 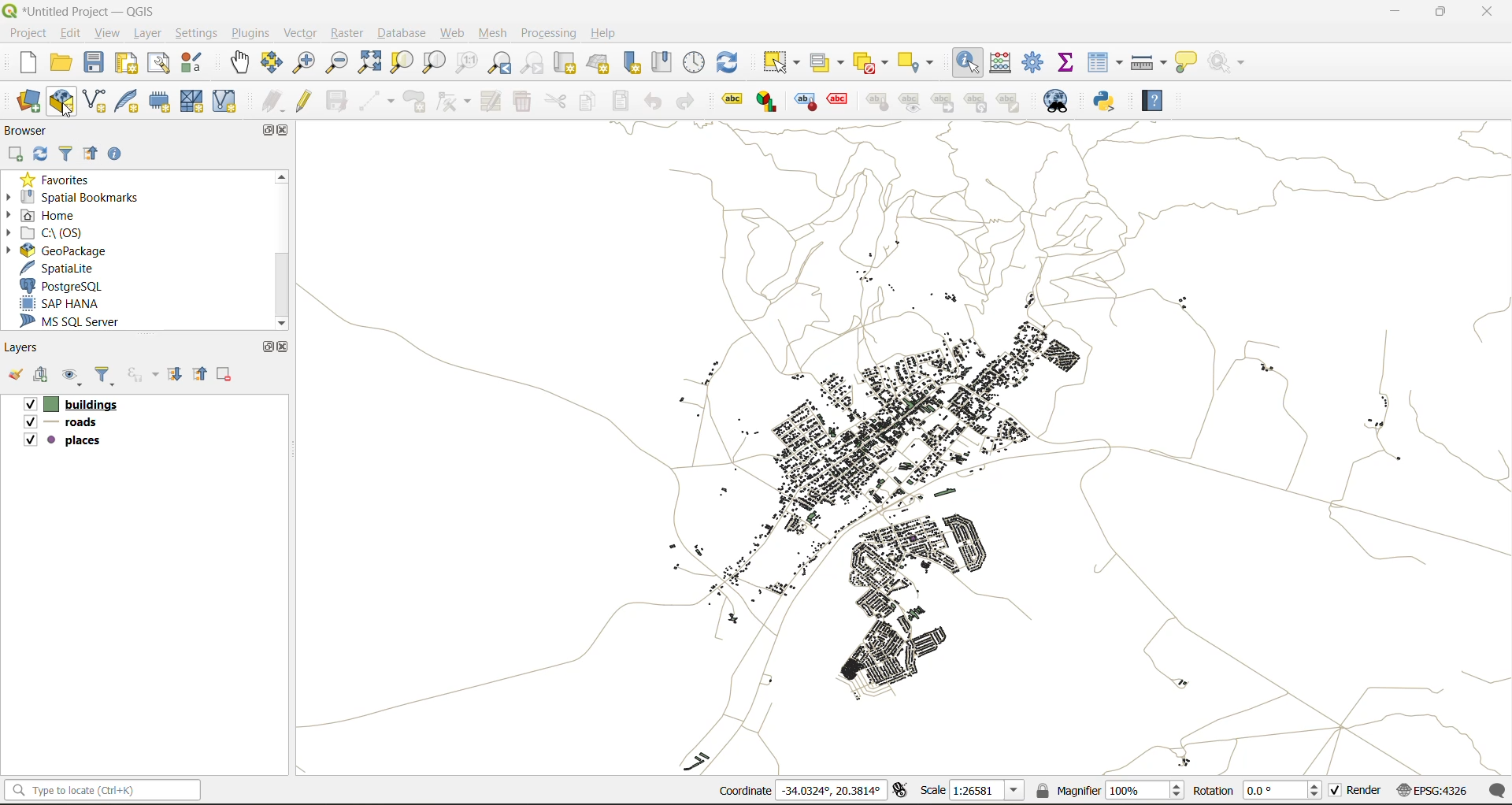 What do you see at coordinates (1106, 790) in the screenshot?
I see `magnifier(100%)` at bounding box center [1106, 790].